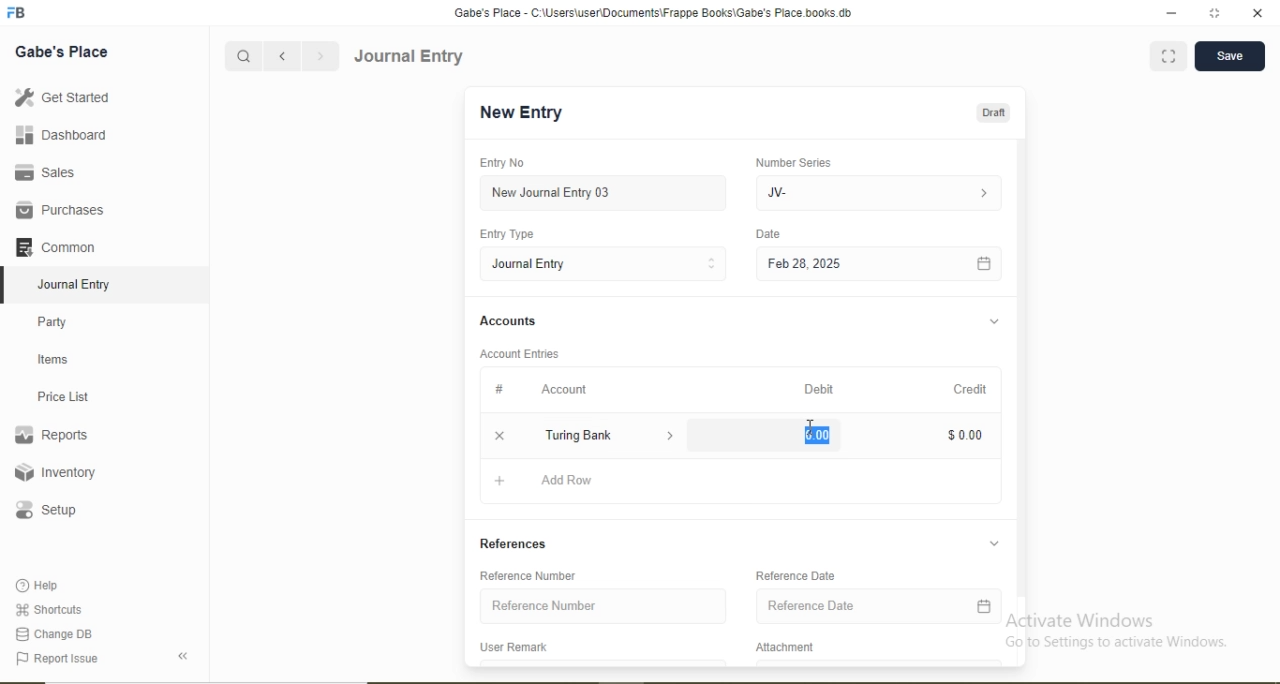 The width and height of the screenshot is (1280, 684). What do you see at coordinates (777, 193) in the screenshot?
I see `JV-` at bounding box center [777, 193].